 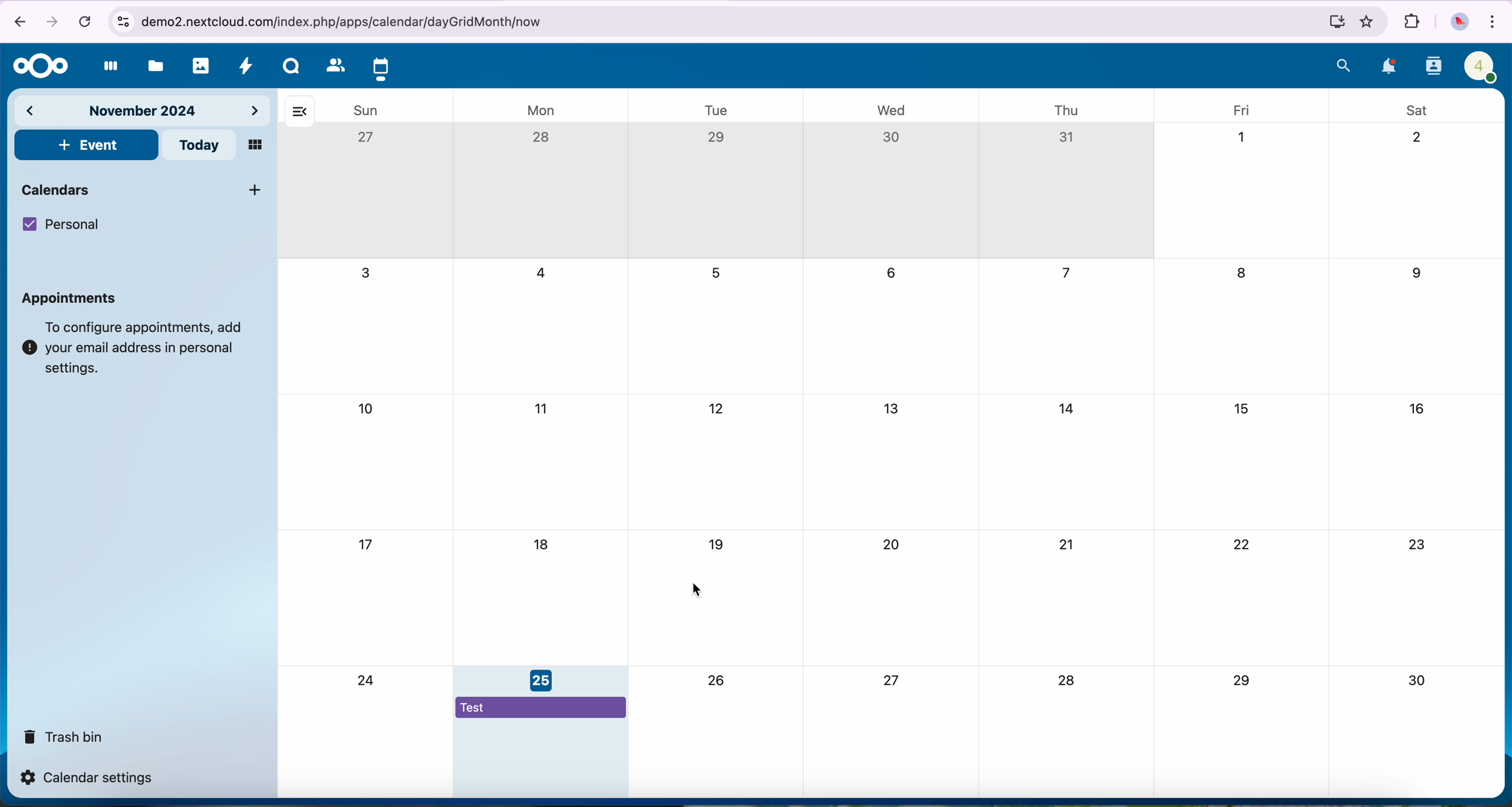 What do you see at coordinates (1494, 21) in the screenshot?
I see `customize and control Google Chrome` at bounding box center [1494, 21].